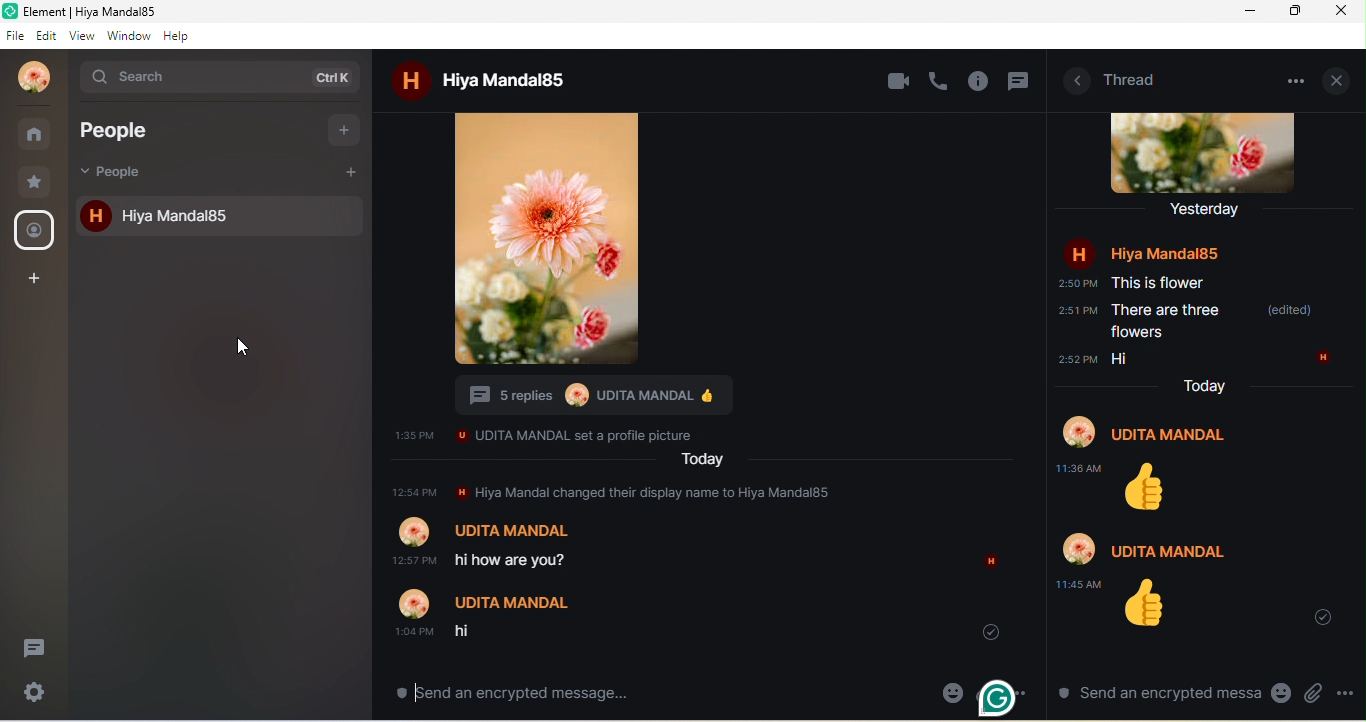 The image size is (1366, 722). What do you see at coordinates (1155, 693) in the screenshot?
I see `send an encrypted message` at bounding box center [1155, 693].